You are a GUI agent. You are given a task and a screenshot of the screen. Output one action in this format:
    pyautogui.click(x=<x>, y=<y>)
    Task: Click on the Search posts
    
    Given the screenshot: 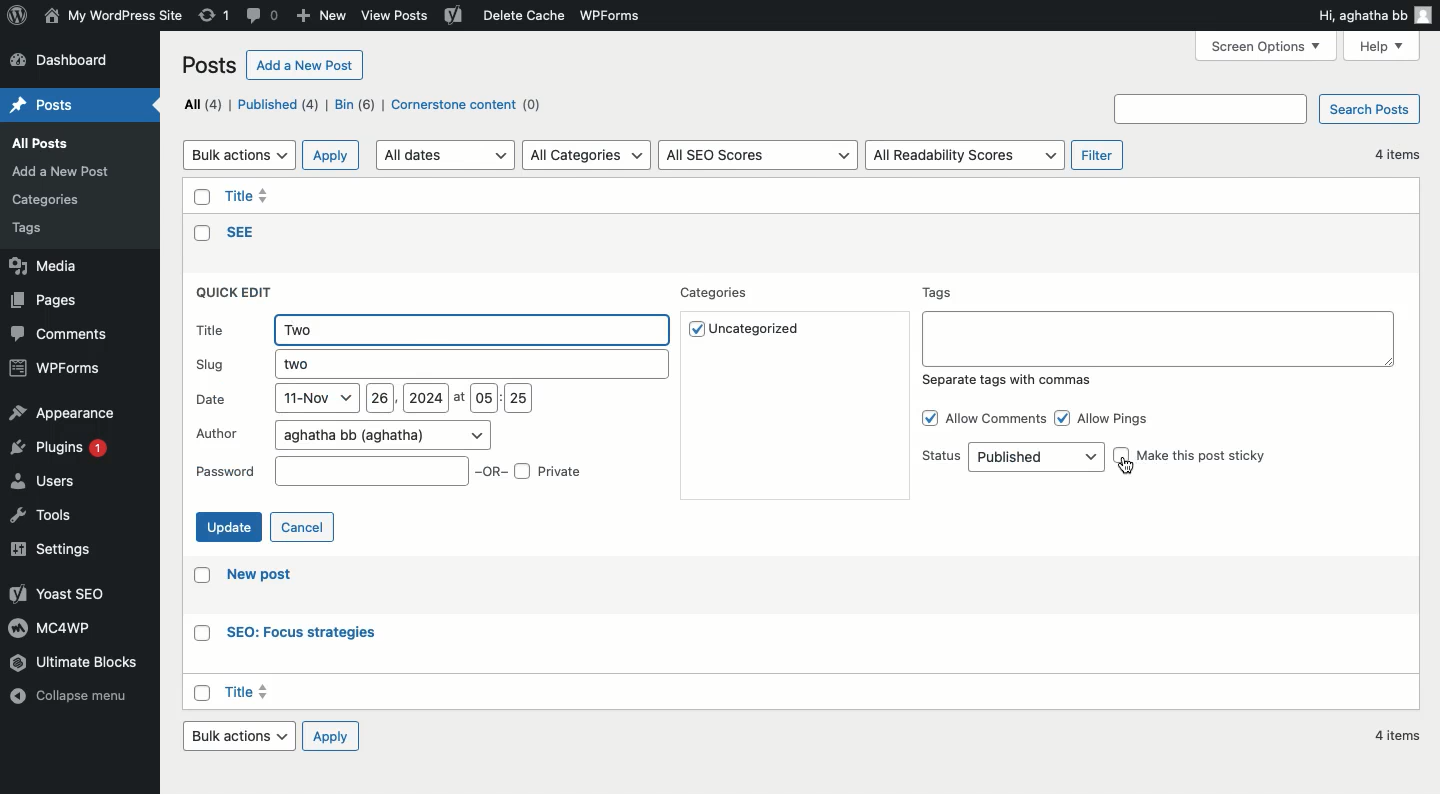 What is the action you would take?
    pyautogui.click(x=1372, y=108)
    